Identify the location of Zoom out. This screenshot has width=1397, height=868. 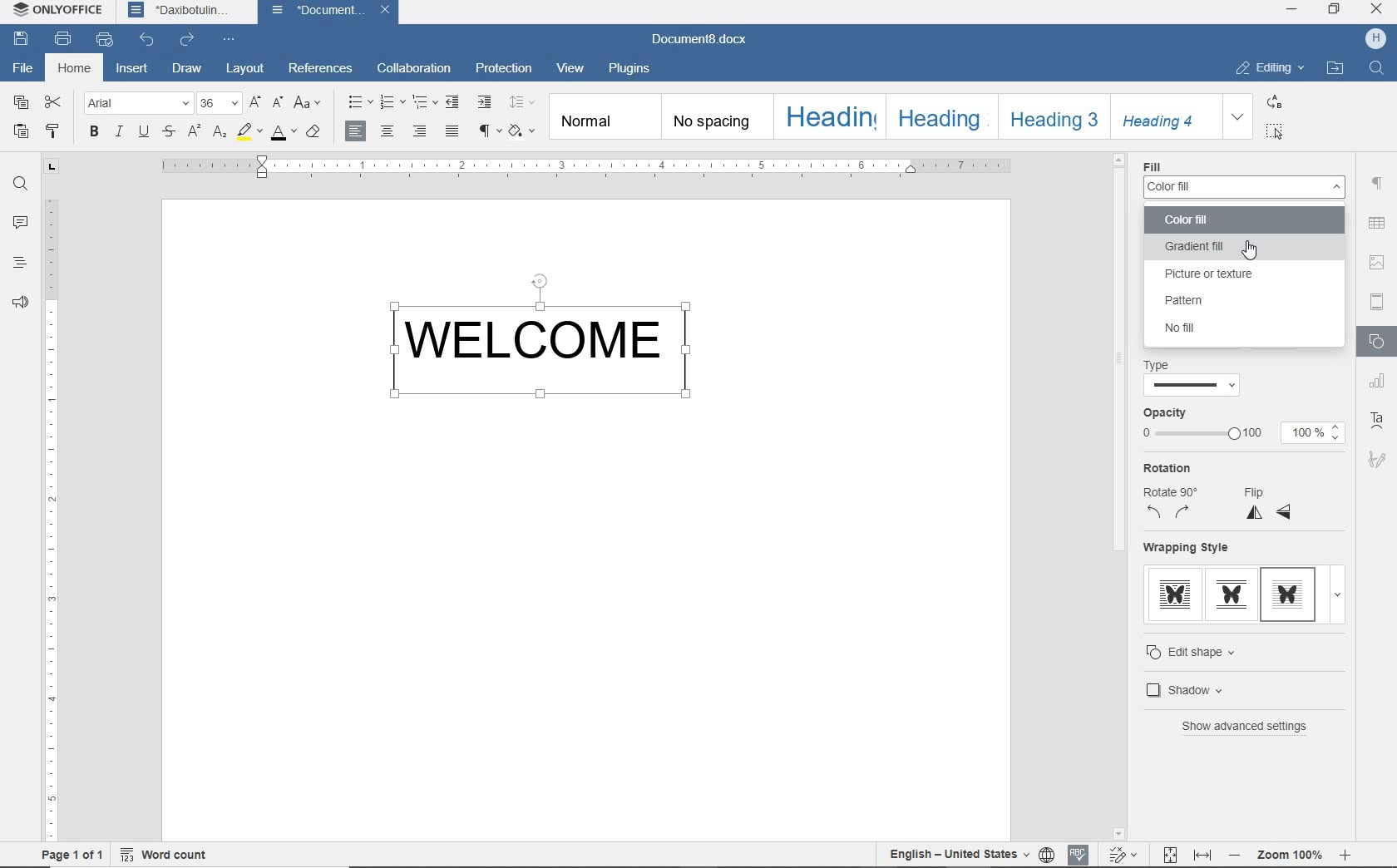
(1236, 854).